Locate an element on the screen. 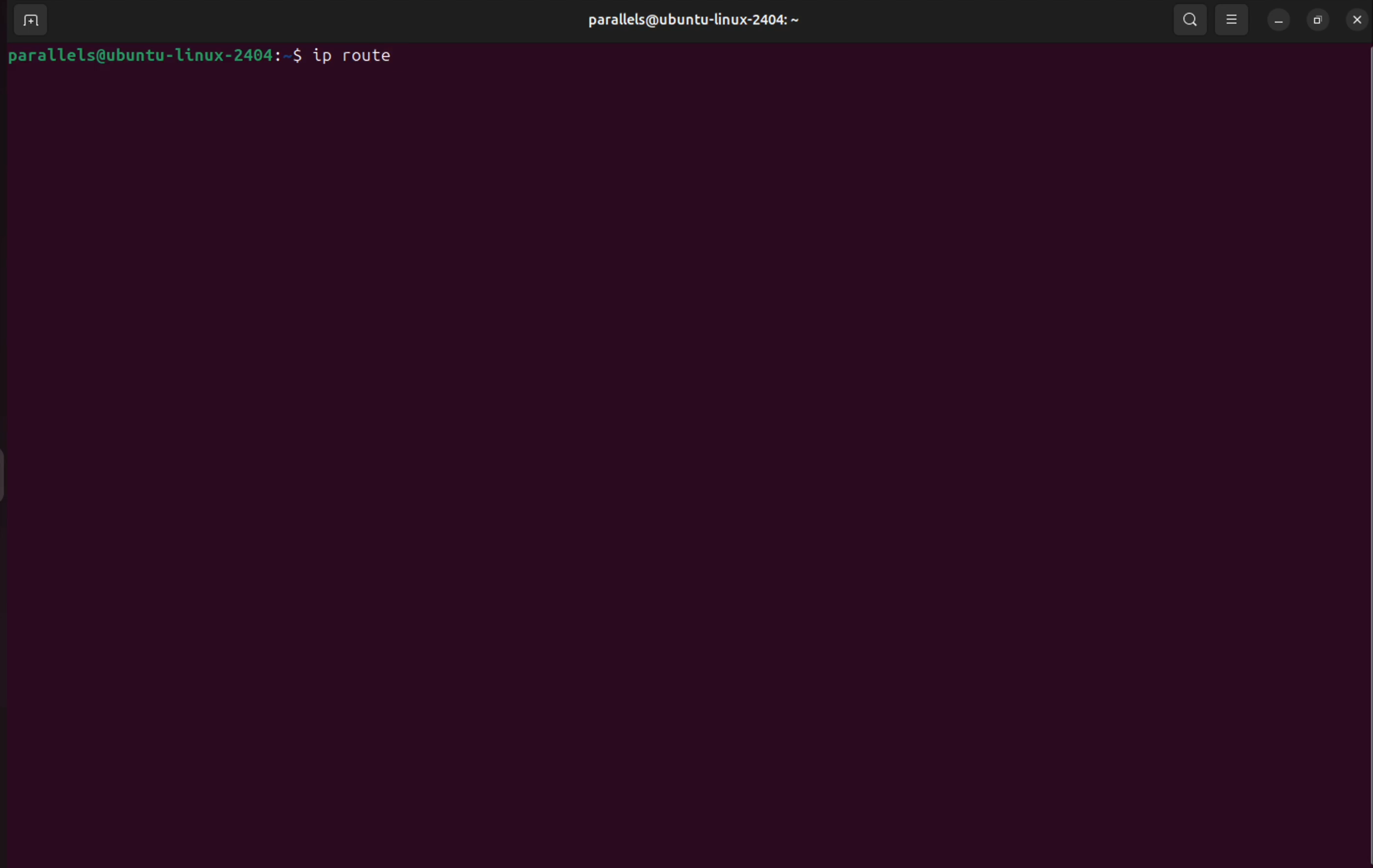 Image resolution: width=1373 pixels, height=868 pixels. view options is located at coordinates (1235, 21).